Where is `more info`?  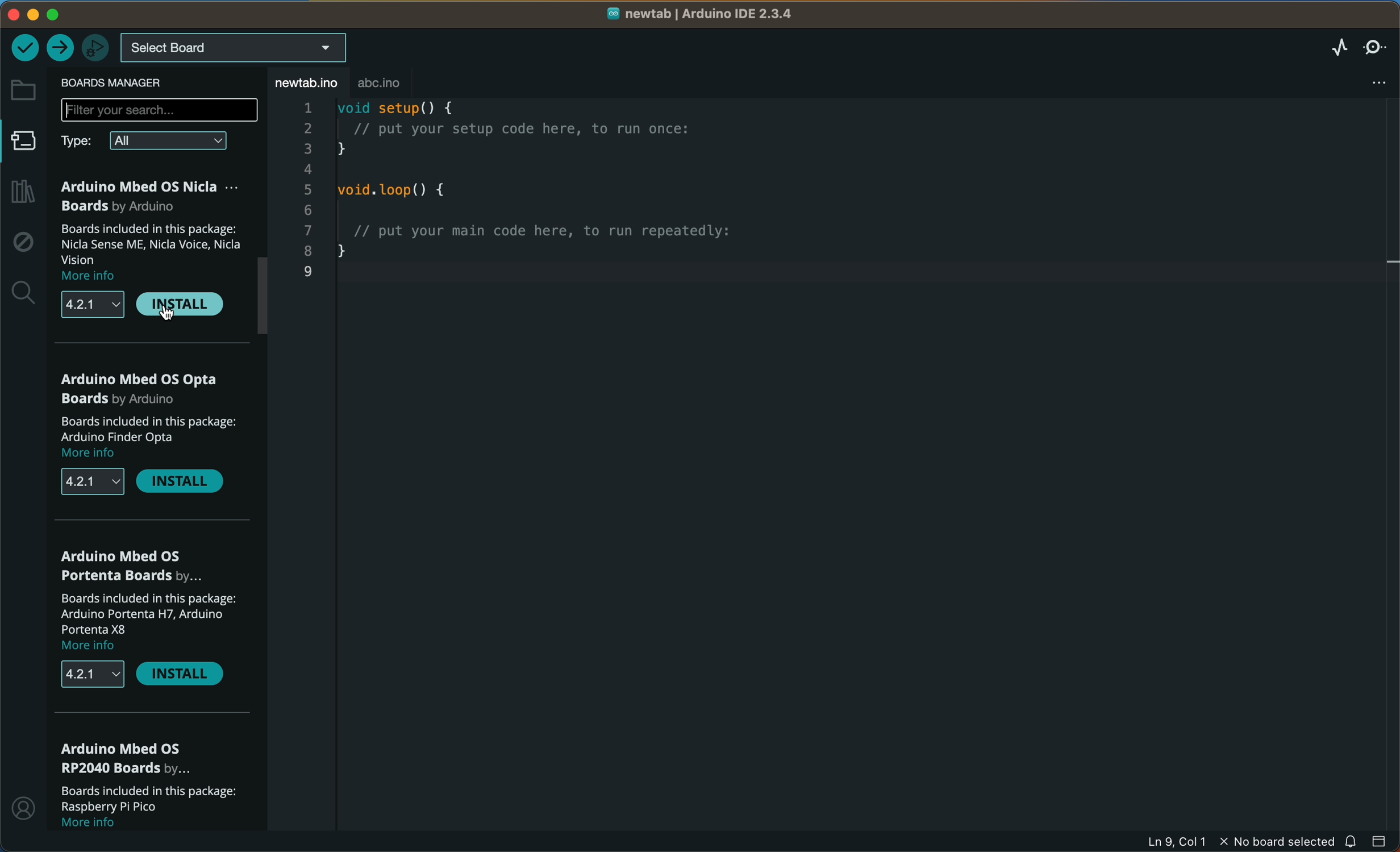 more info is located at coordinates (105, 826).